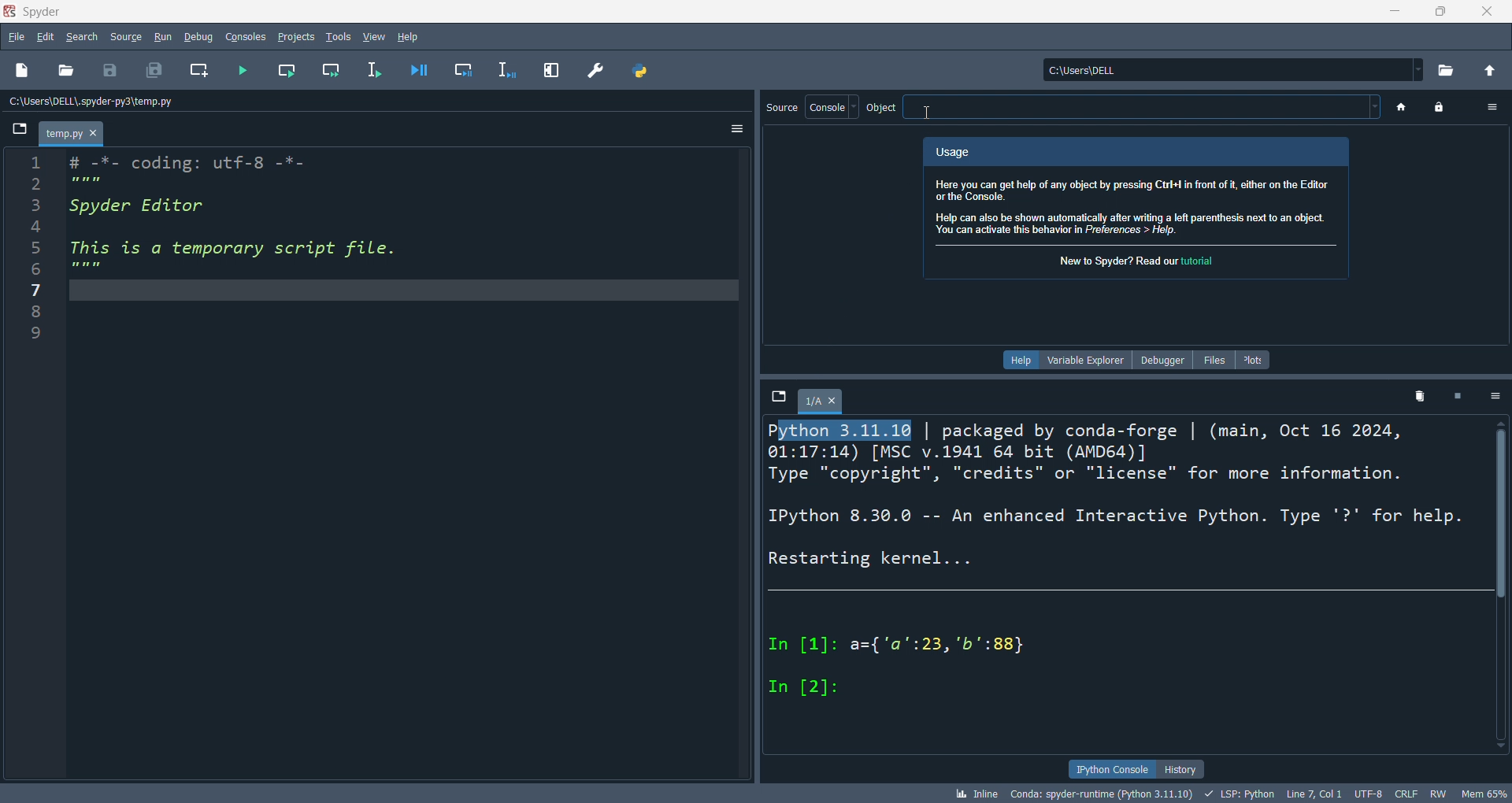 The width and height of the screenshot is (1512, 803). Describe the element at coordinates (329, 71) in the screenshot. I see `run cell and move` at that location.